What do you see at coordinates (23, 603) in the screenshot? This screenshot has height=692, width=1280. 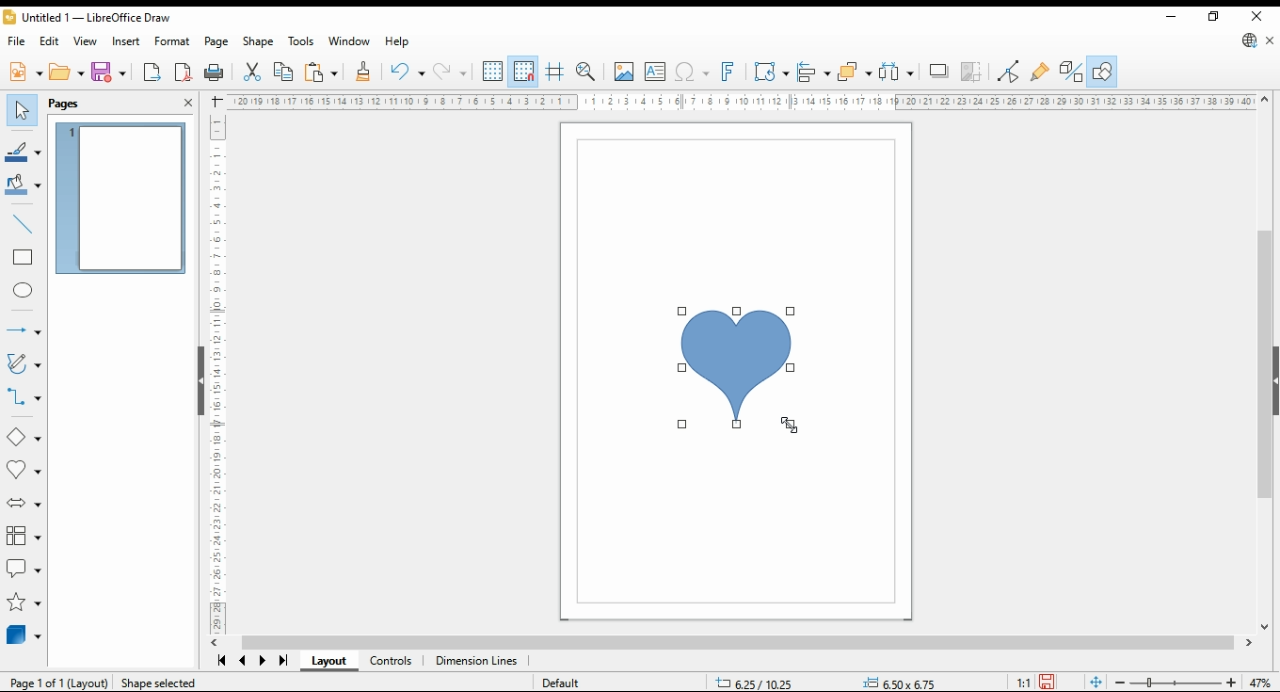 I see `stars and banners` at bounding box center [23, 603].